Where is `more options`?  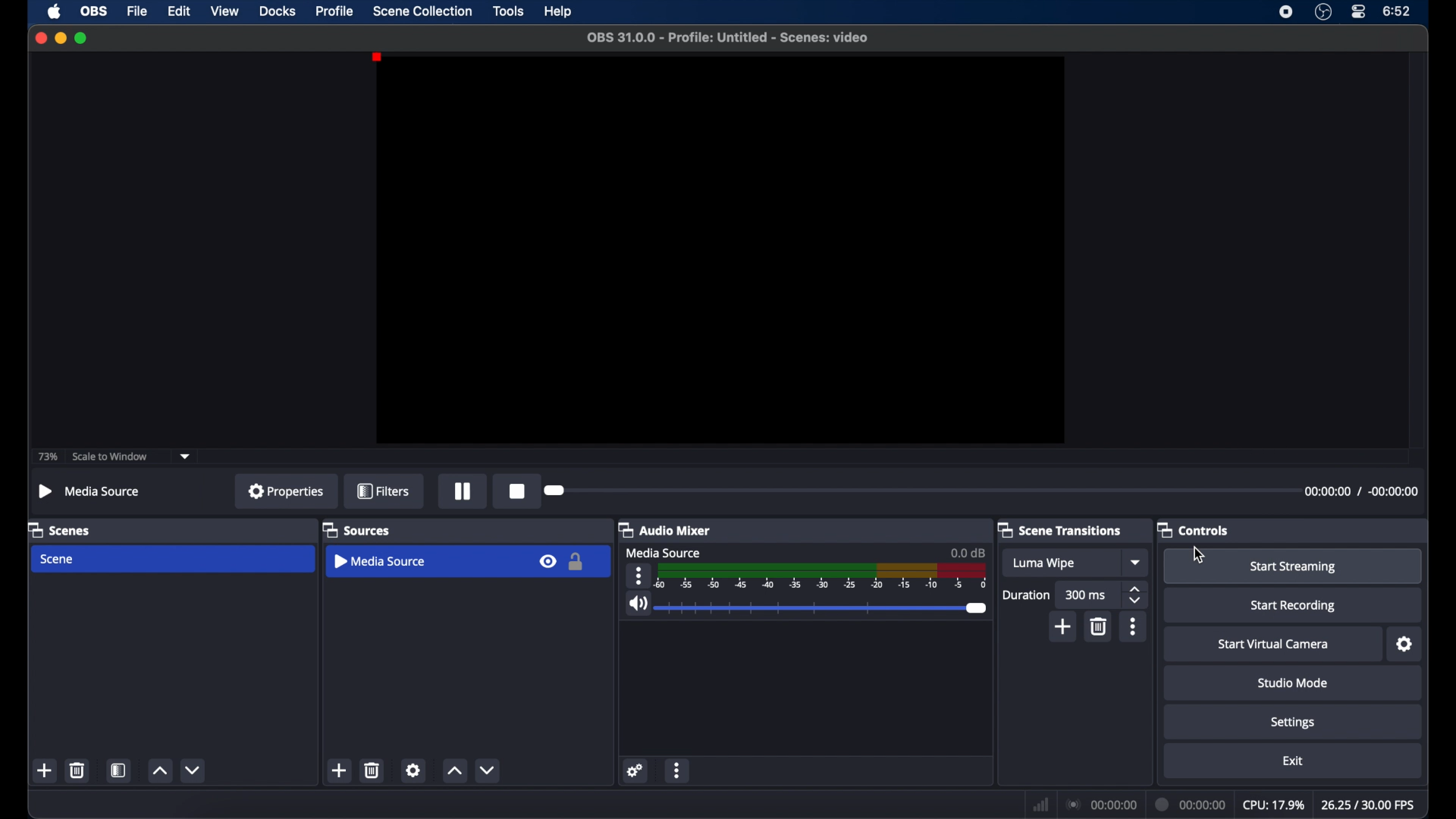 more options is located at coordinates (1134, 627).